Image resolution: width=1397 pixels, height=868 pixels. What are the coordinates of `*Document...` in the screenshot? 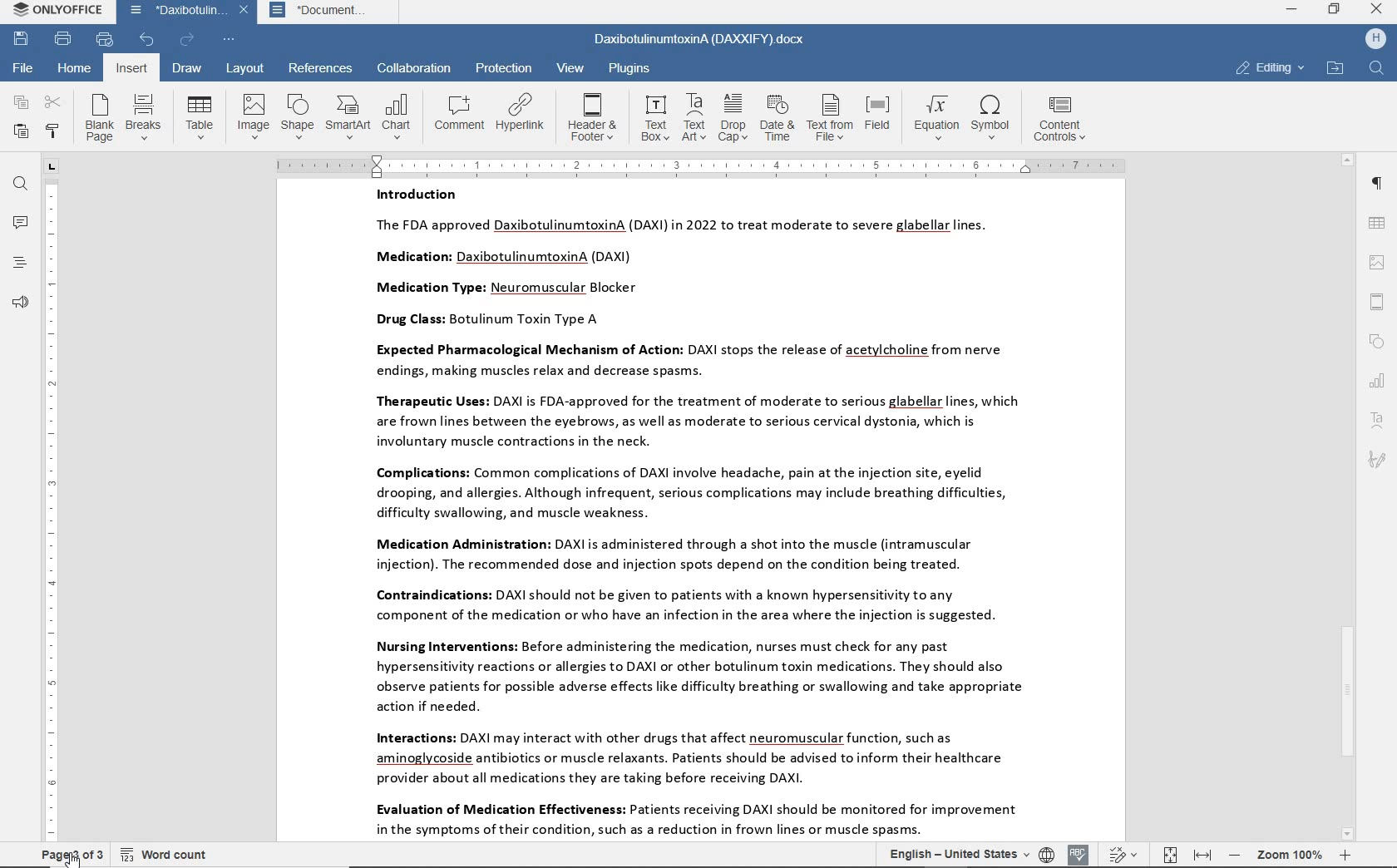 It's located at (326, 13).